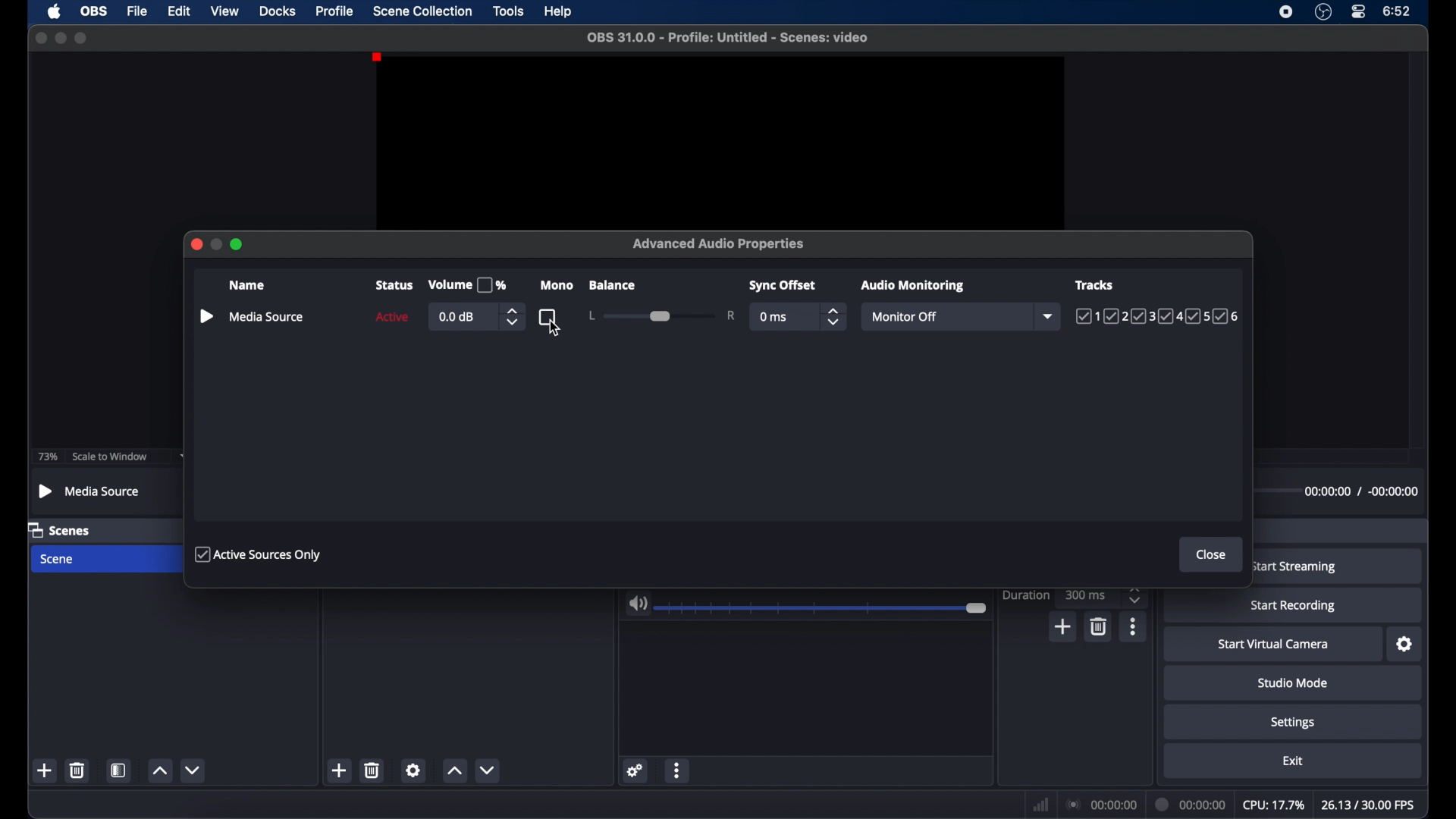 This screenshot has width=1456, height=819. I want to click on settings, so click(1293, 723).